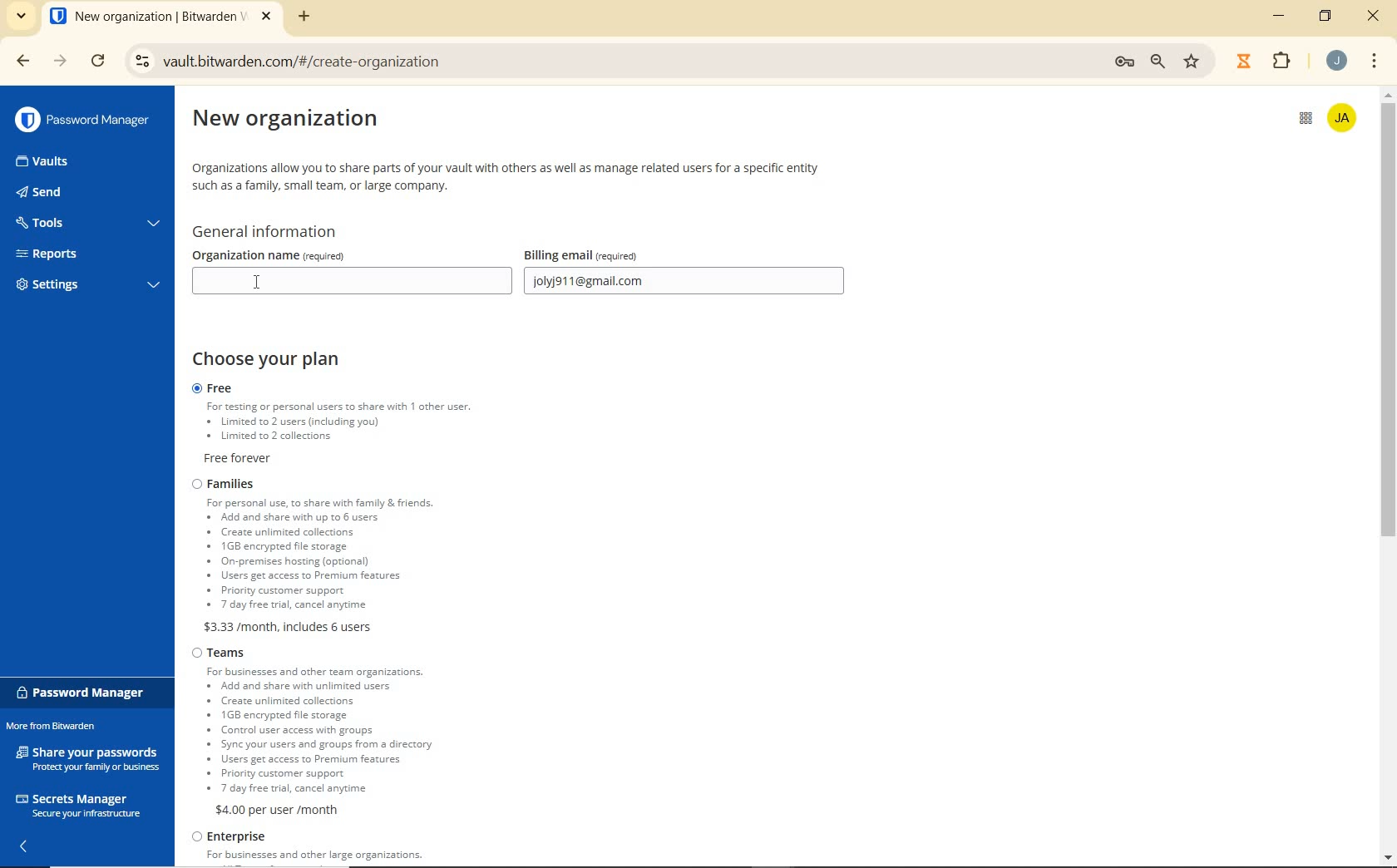 The width and height of the screenshot is (1397, 868). Describe the element at coordinates (509, 175) in the screenshot. I see `more info about organization` at that location.